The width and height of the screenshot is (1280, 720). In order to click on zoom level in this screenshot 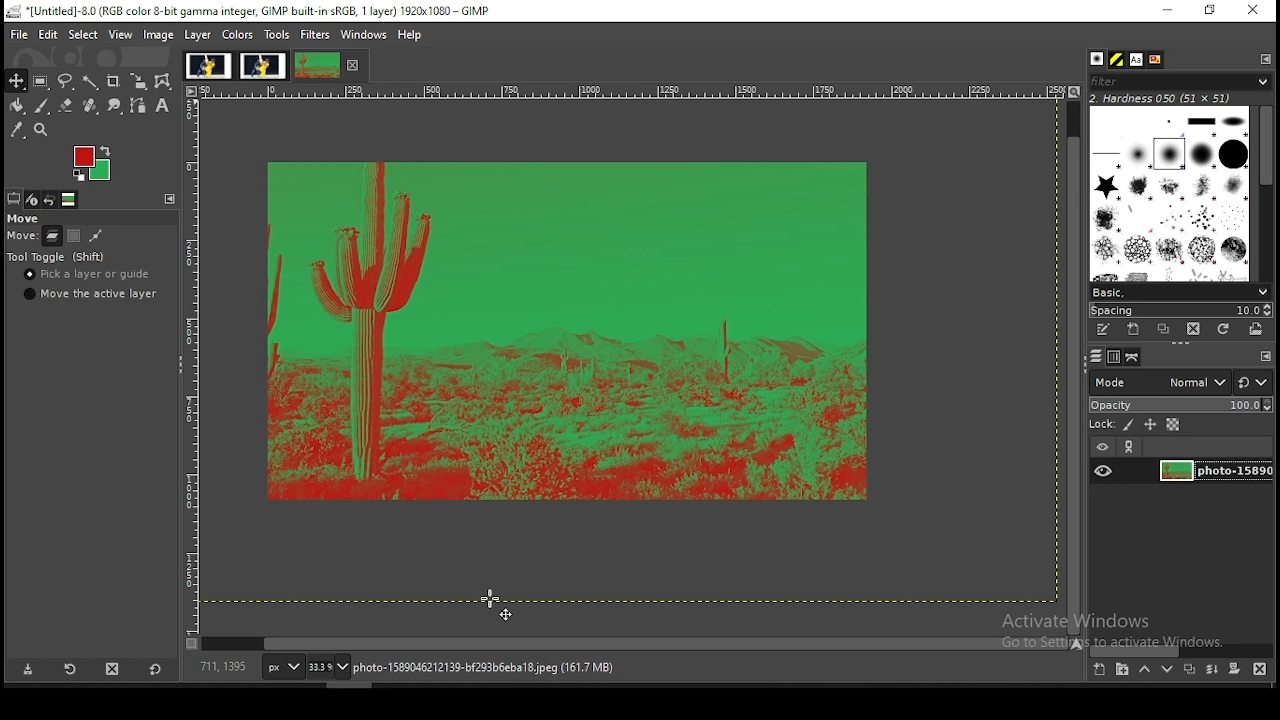, I will do `click(329, 666)`.